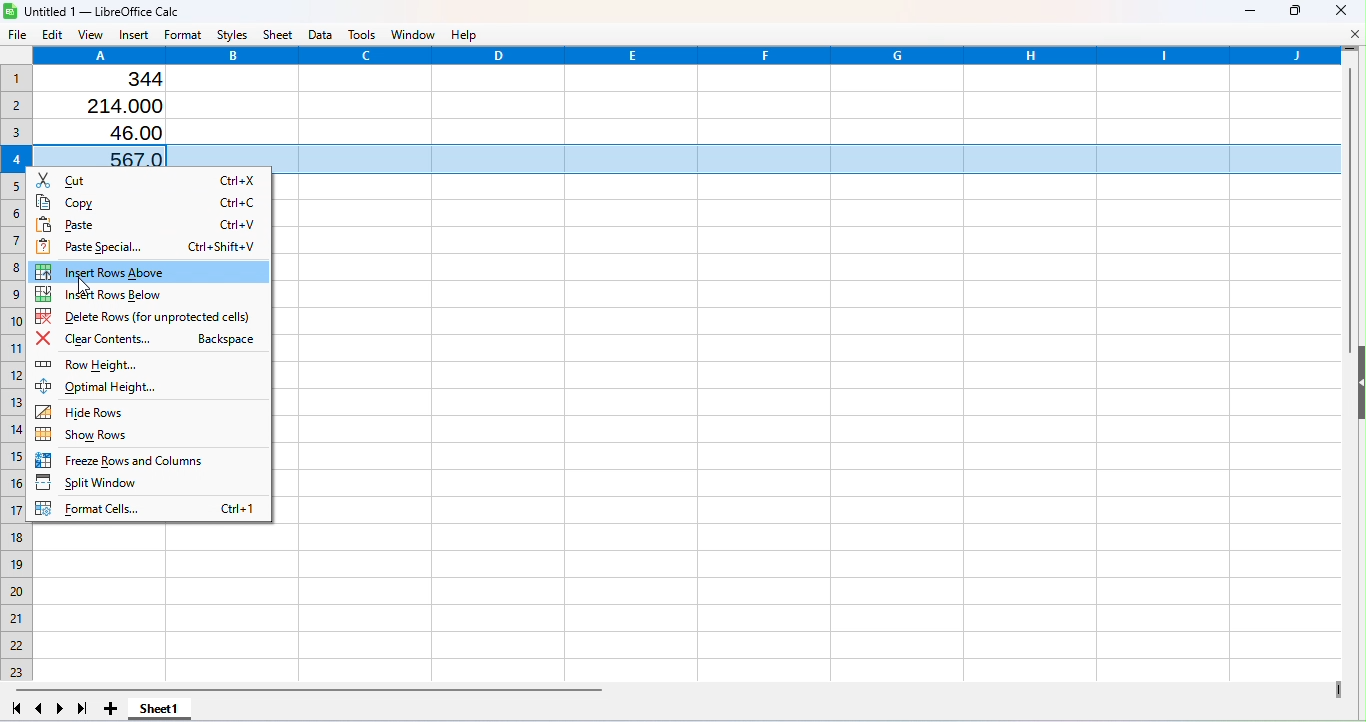  Describe the element at coordinates (152, 244) in the screenshot. I see `Paste special   Ctrl+Shift+V` at that location.